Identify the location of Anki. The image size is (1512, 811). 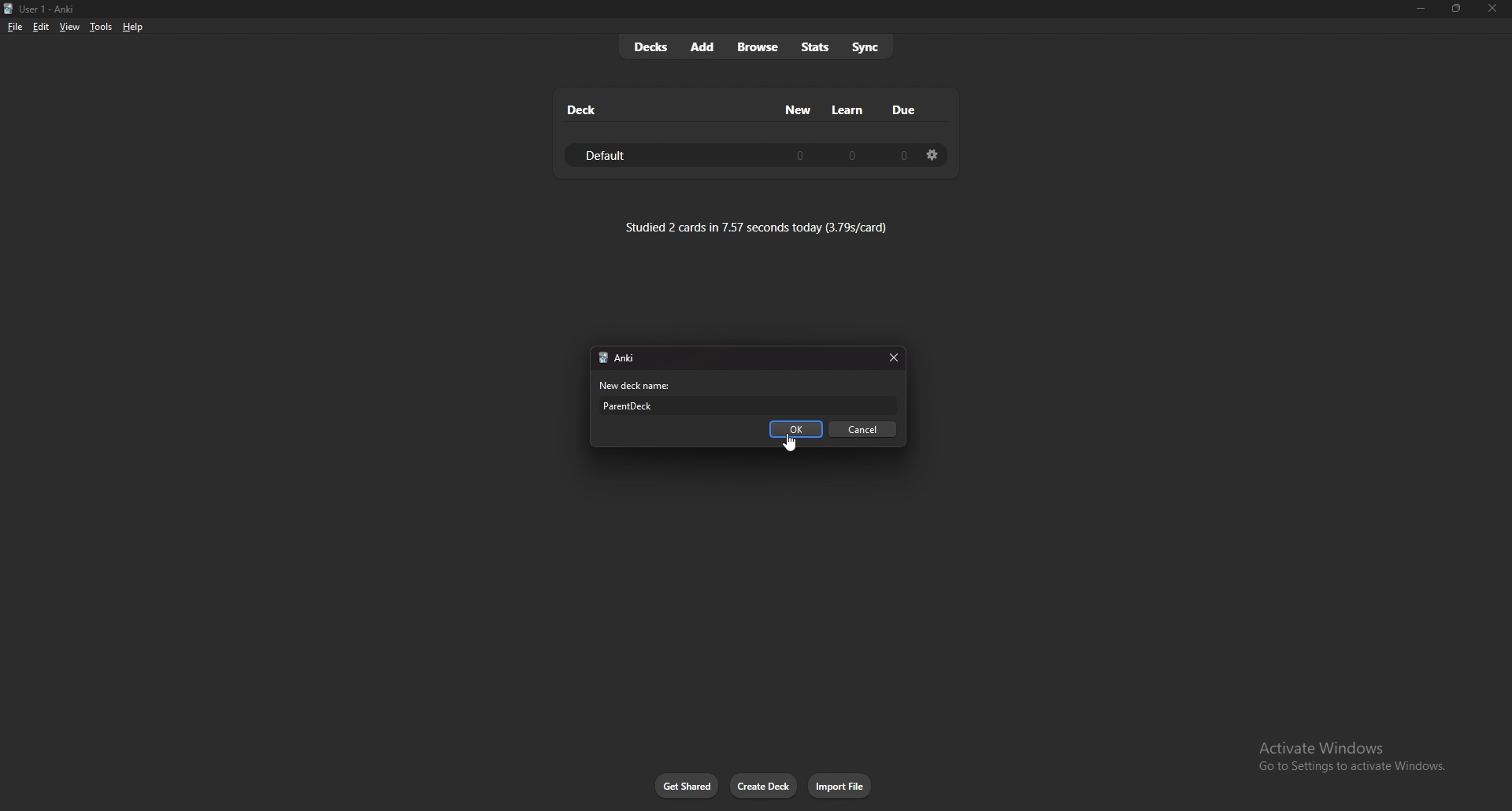
(635, 359).